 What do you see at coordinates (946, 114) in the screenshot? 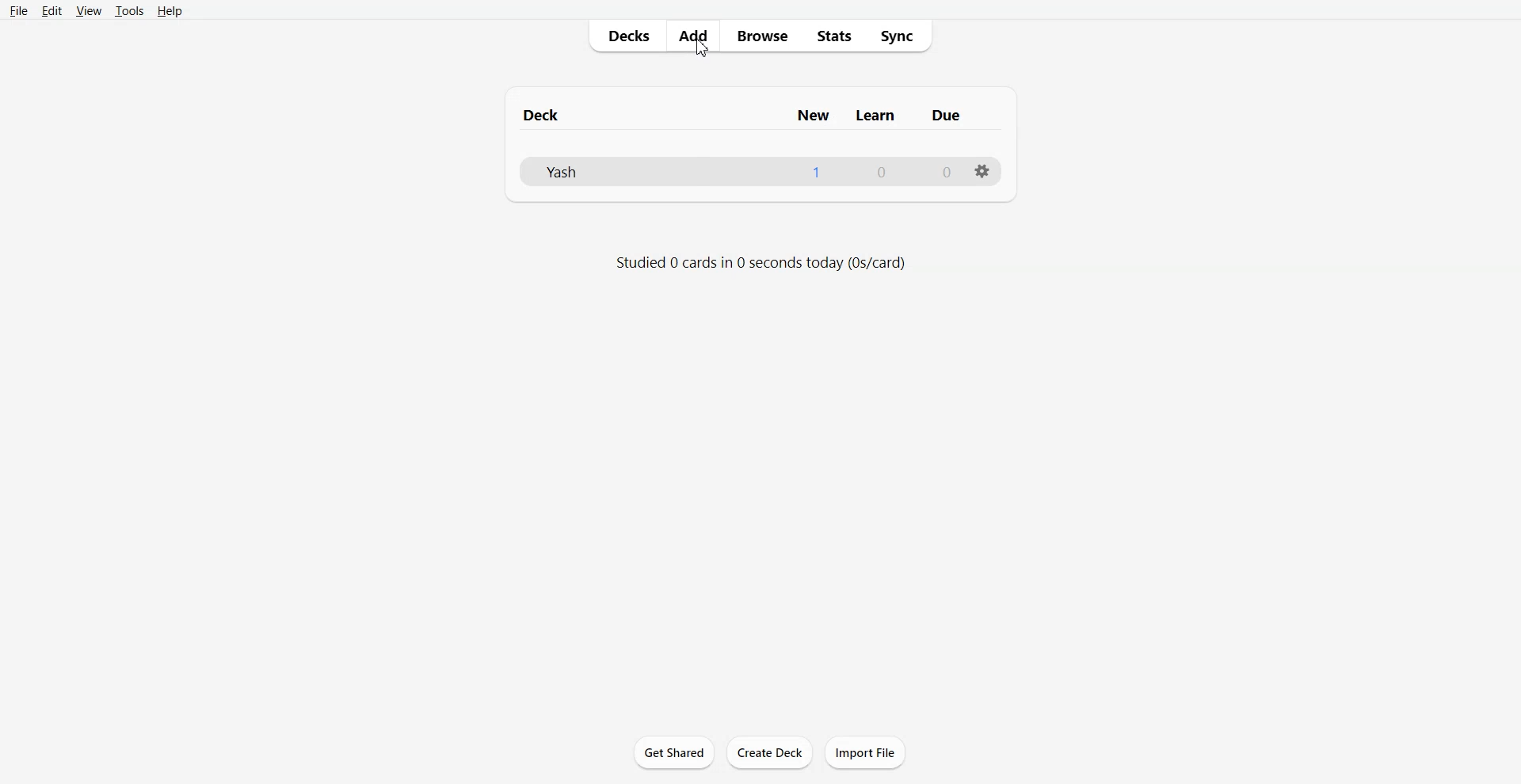
I see `Due` at bounding box center [946, 114].